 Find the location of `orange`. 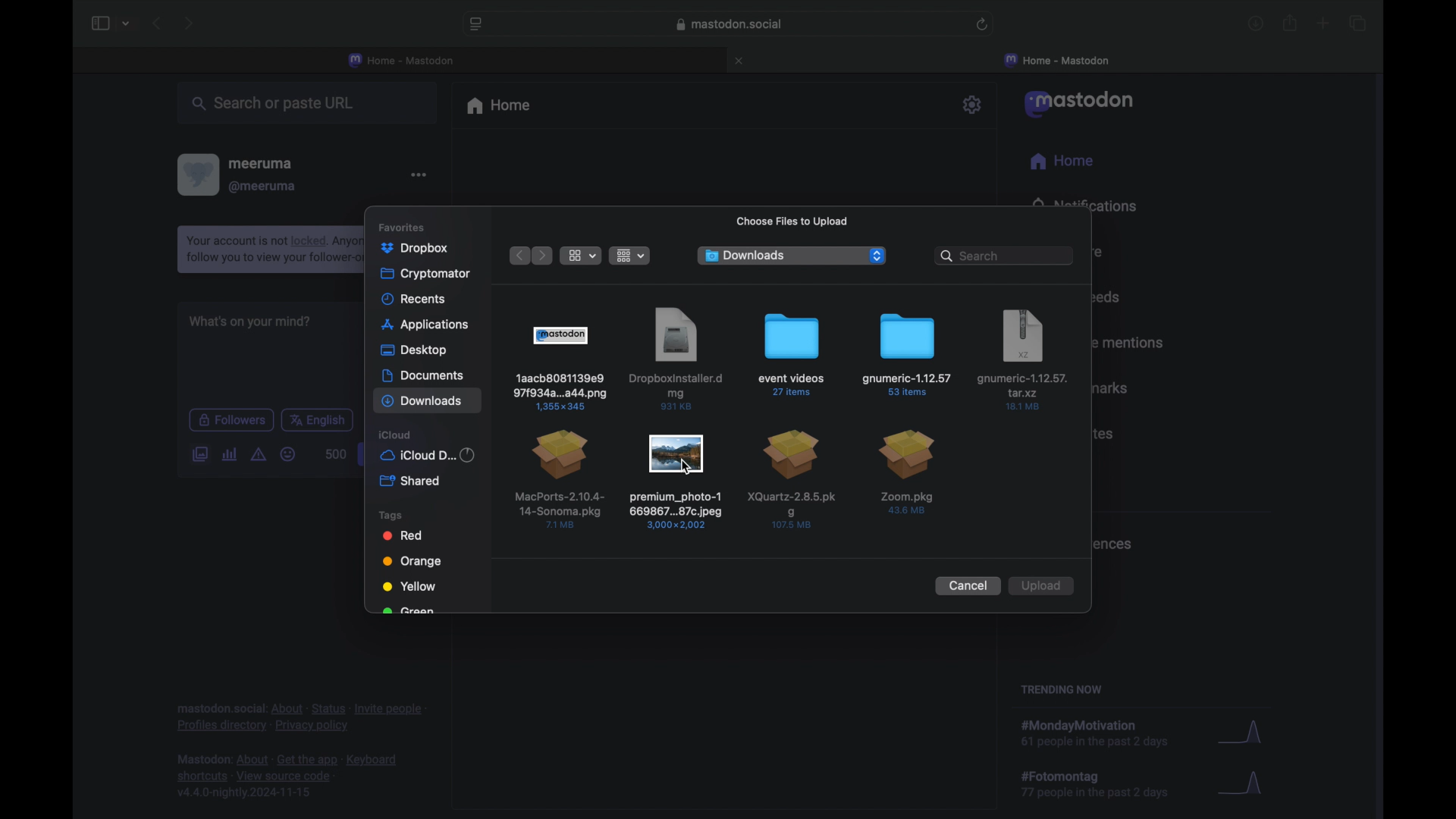

orange is located at coordinates (411, 561).